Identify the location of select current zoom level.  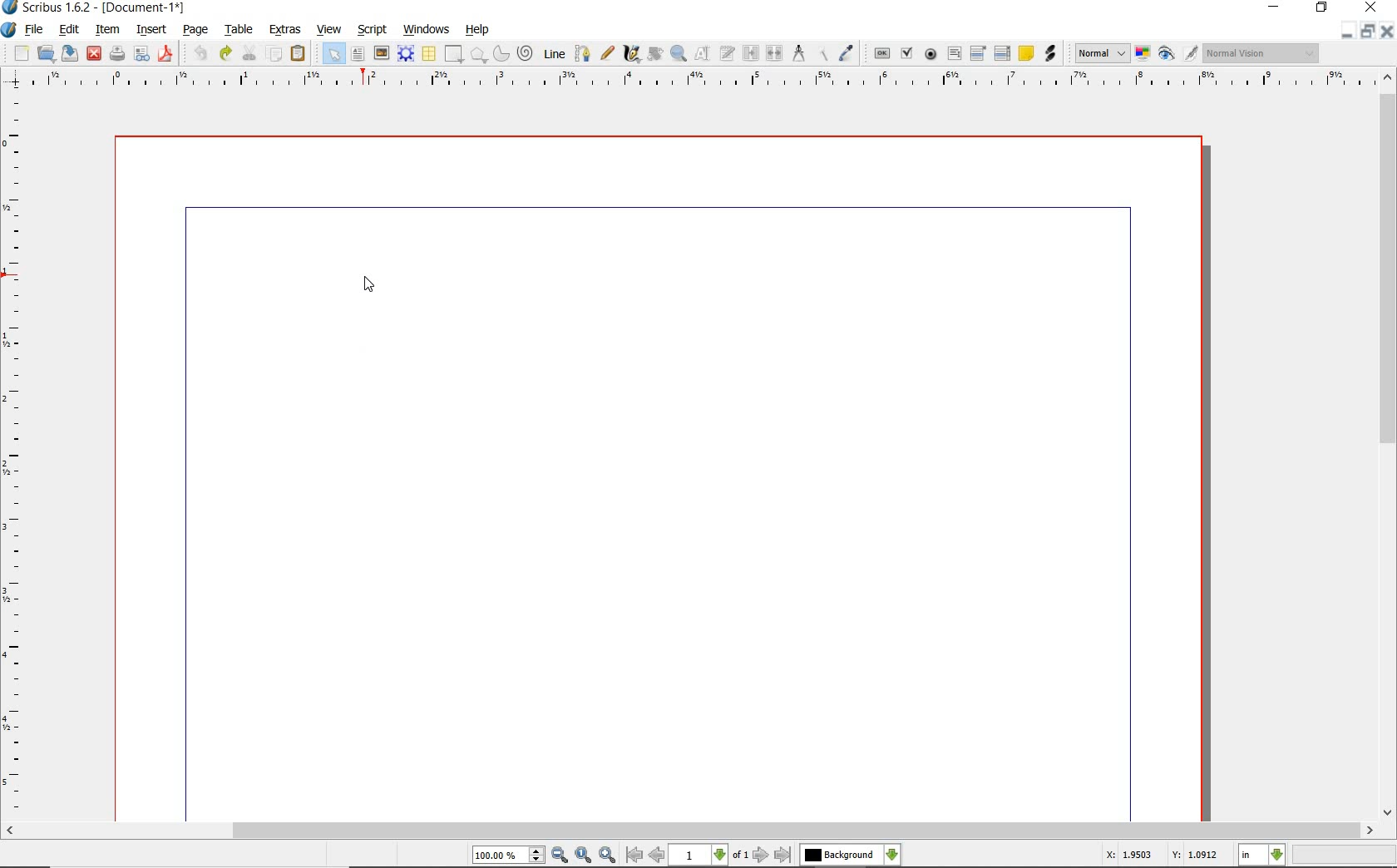
(508, 856).